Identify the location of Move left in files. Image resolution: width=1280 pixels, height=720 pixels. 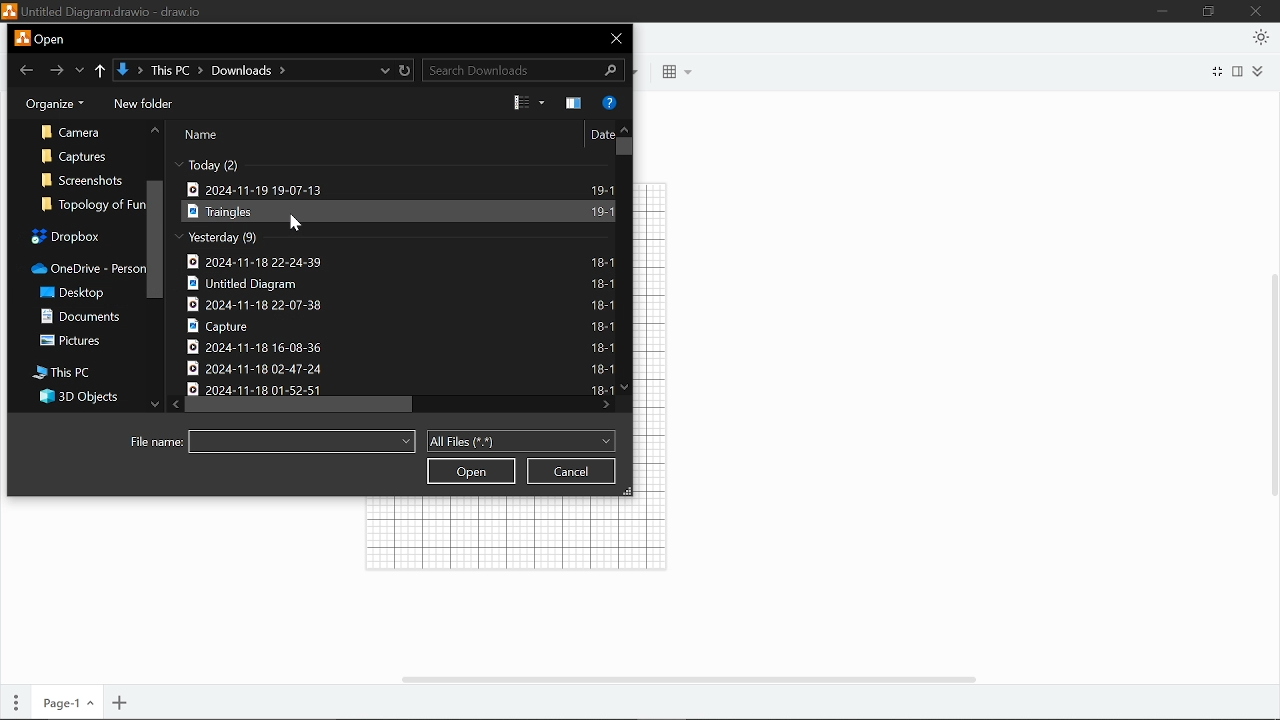
(173, 404).